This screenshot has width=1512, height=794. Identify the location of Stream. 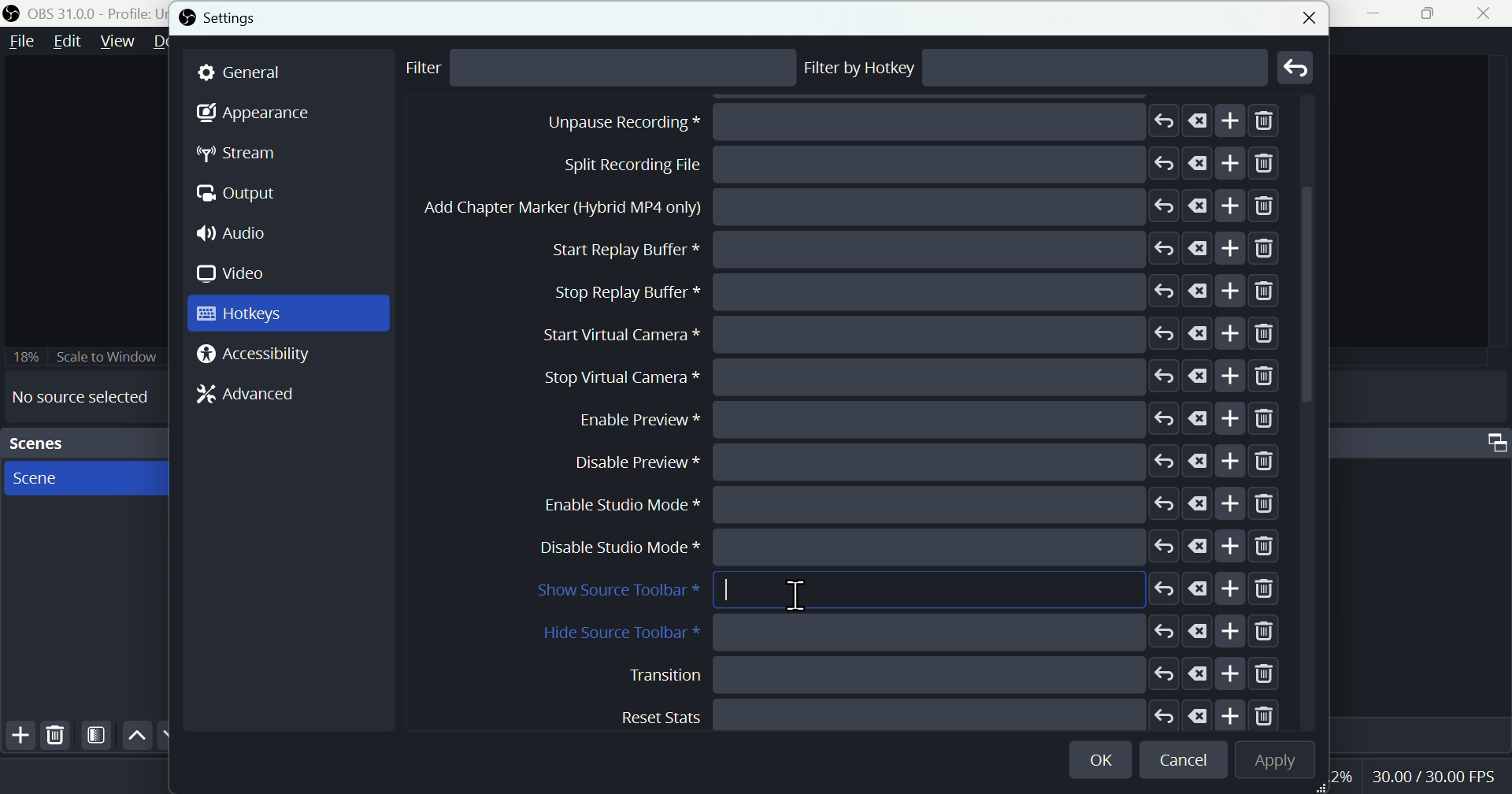
(250, 154).